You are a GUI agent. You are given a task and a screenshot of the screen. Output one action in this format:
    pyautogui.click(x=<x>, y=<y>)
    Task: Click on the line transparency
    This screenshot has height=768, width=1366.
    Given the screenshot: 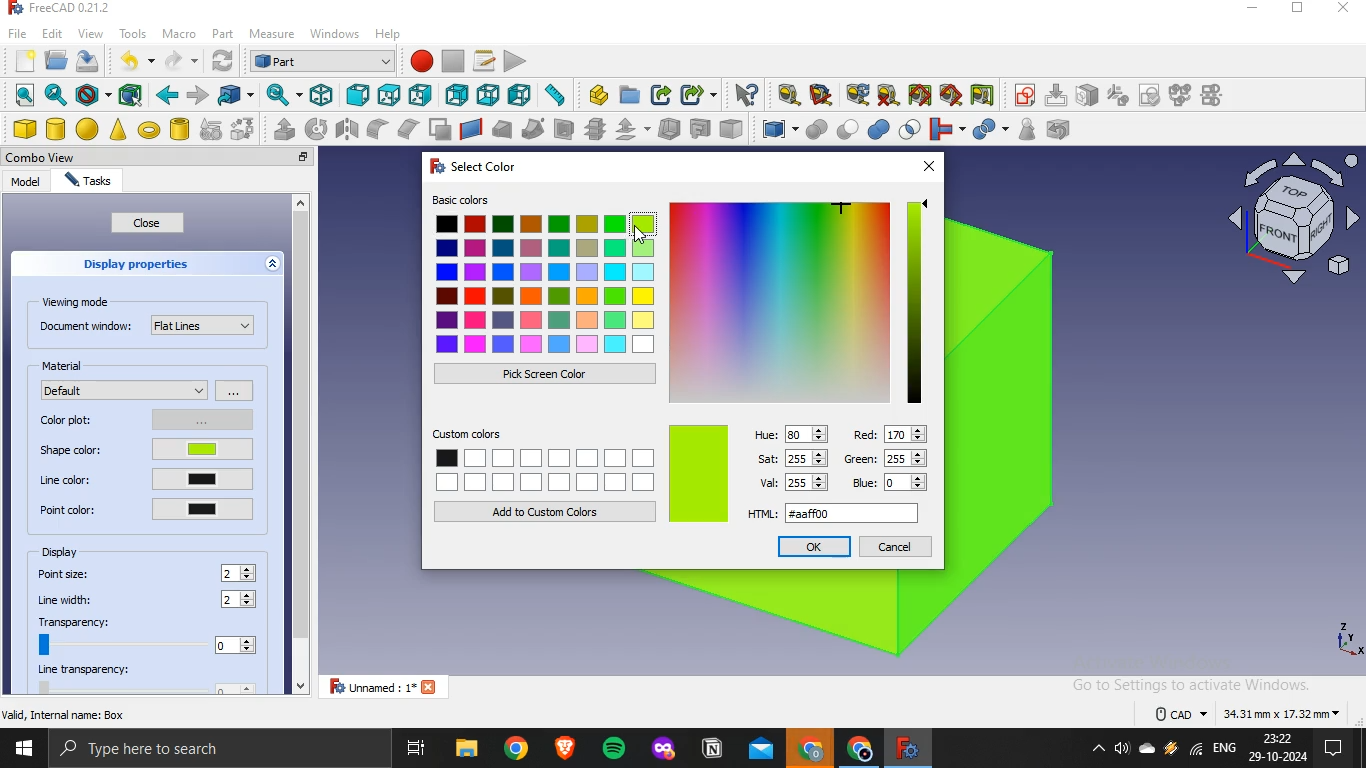 What is the action you would take?
    pyautogui.click(x=150, y=679)
    